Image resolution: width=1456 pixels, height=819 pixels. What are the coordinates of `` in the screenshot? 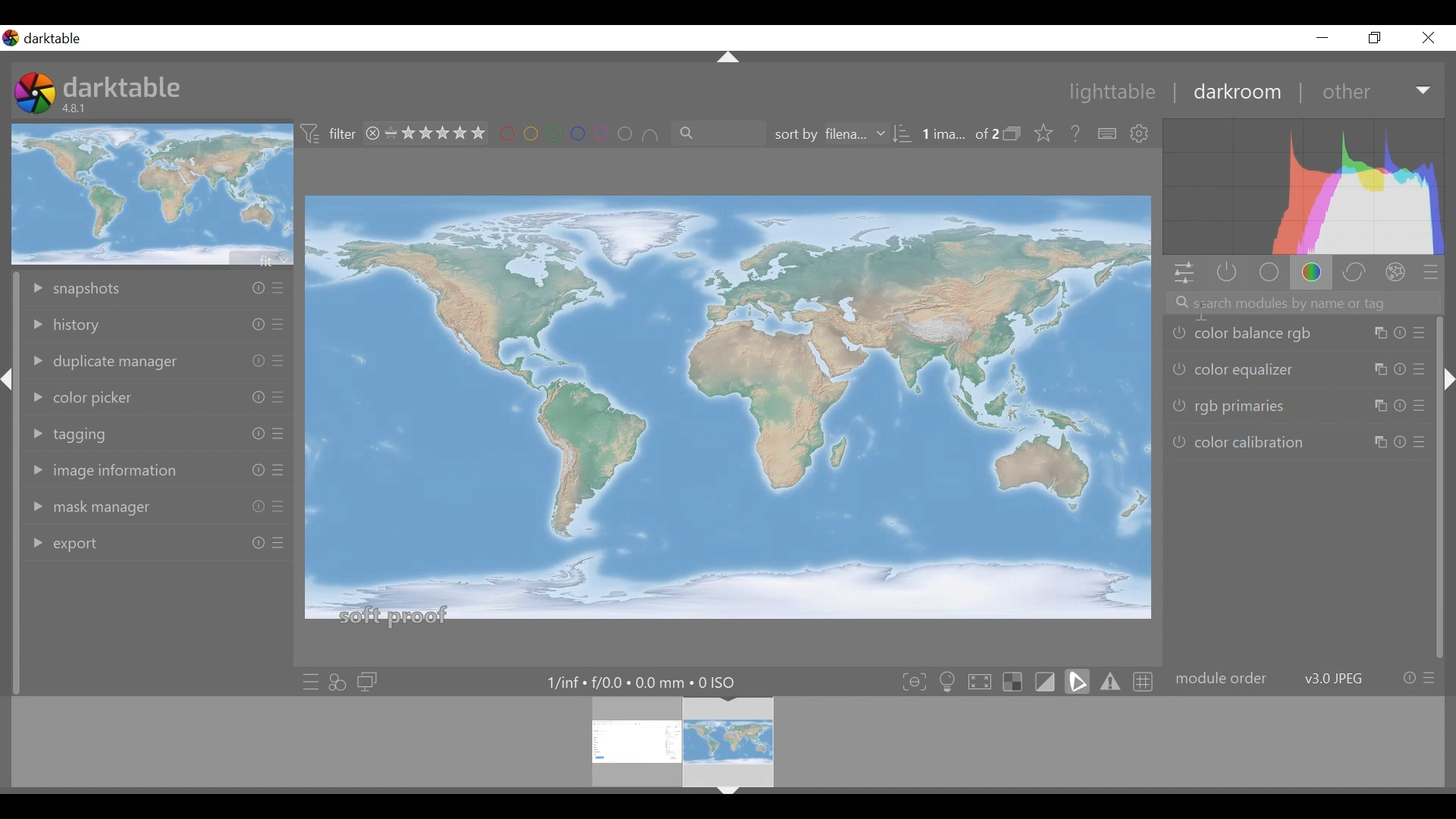 It's located at (276, 327).